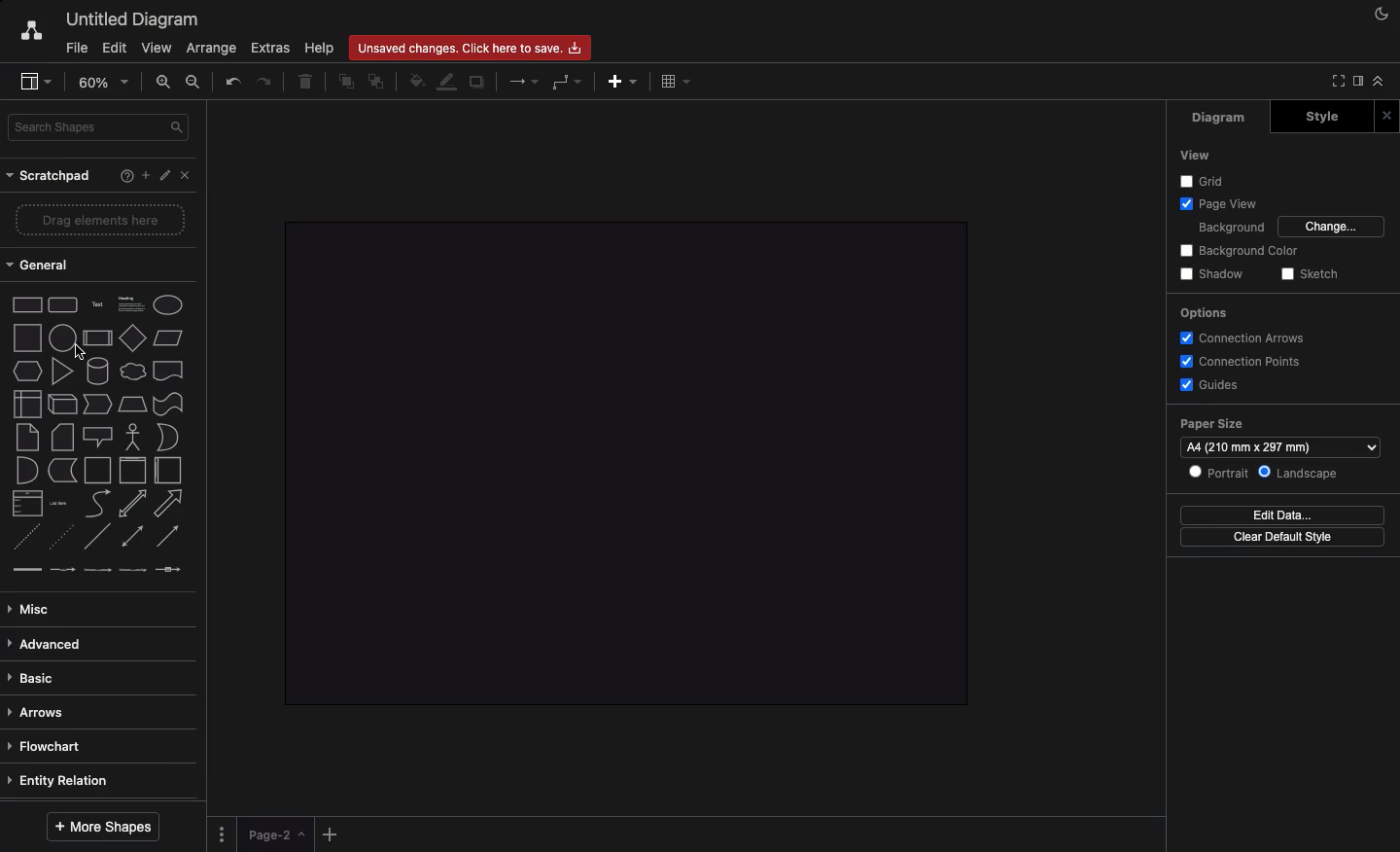  Describe the element at coordinates (380, 83) in the screenshot. I see `To back` at that location.